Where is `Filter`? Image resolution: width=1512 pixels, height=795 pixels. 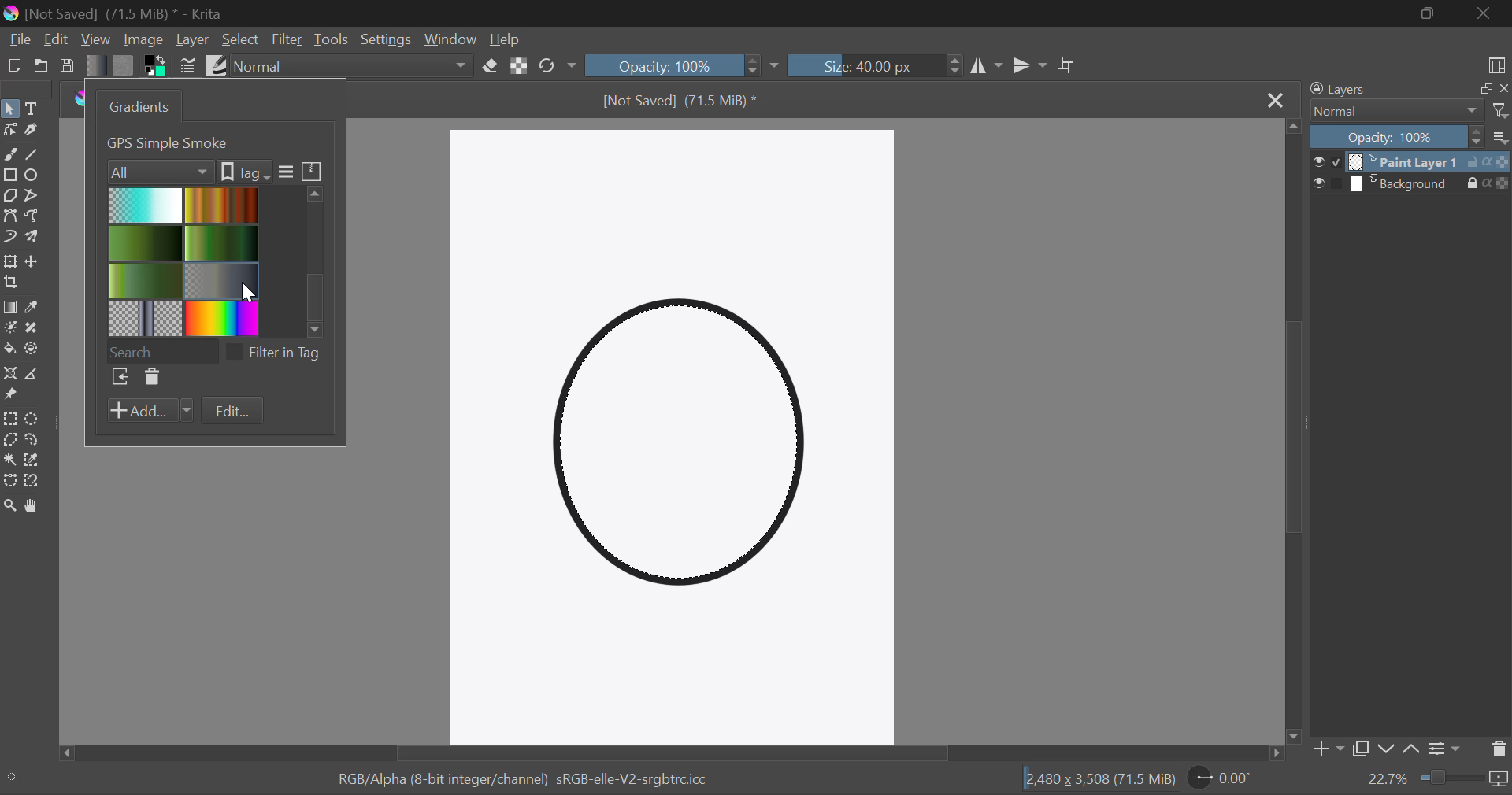 Filter is located at coordinates (287, 39).